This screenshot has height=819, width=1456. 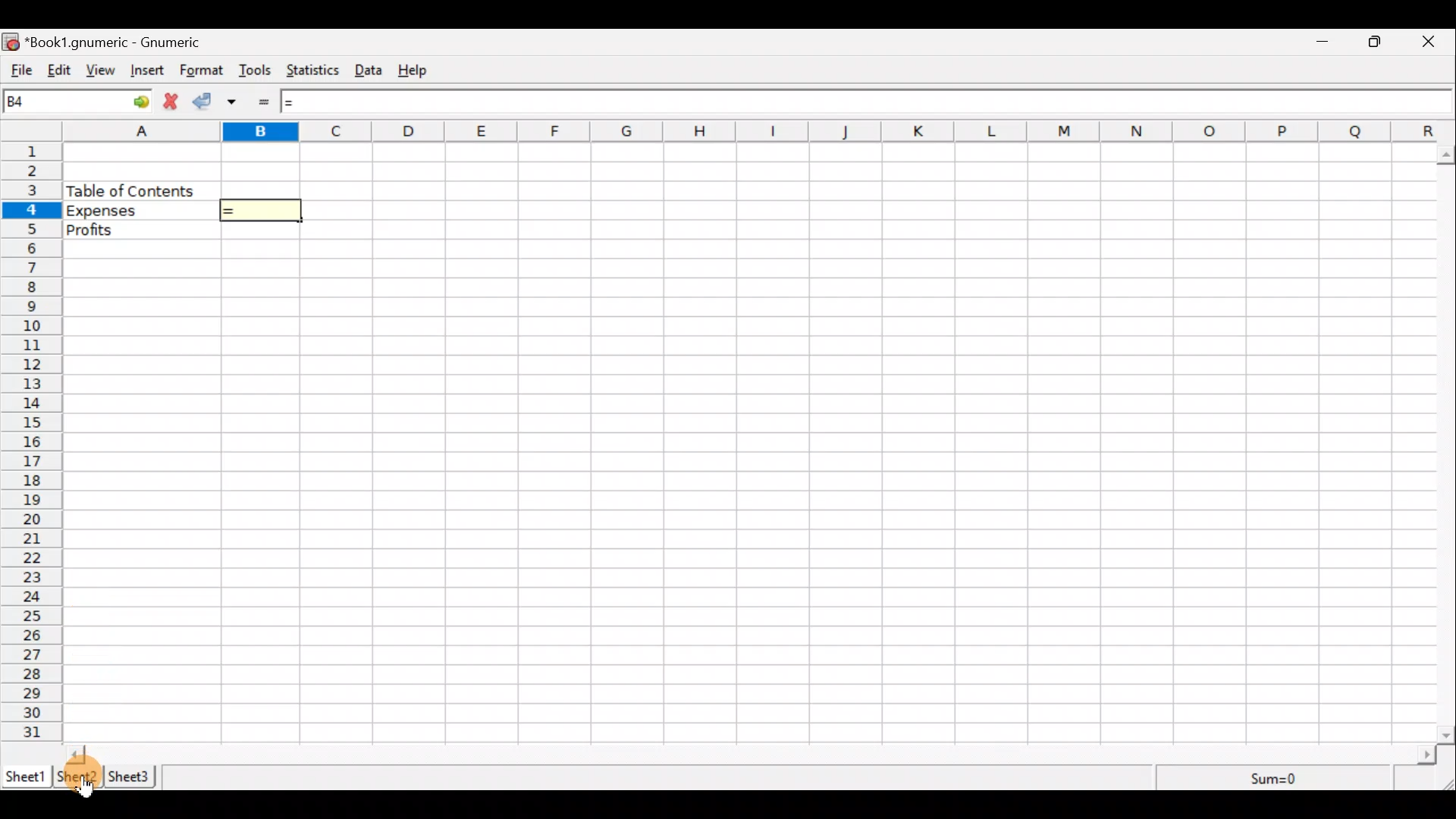 What do you see at coordinates (105, 71) in the screenshot?
I see `View` at bounding box center [105, 71].